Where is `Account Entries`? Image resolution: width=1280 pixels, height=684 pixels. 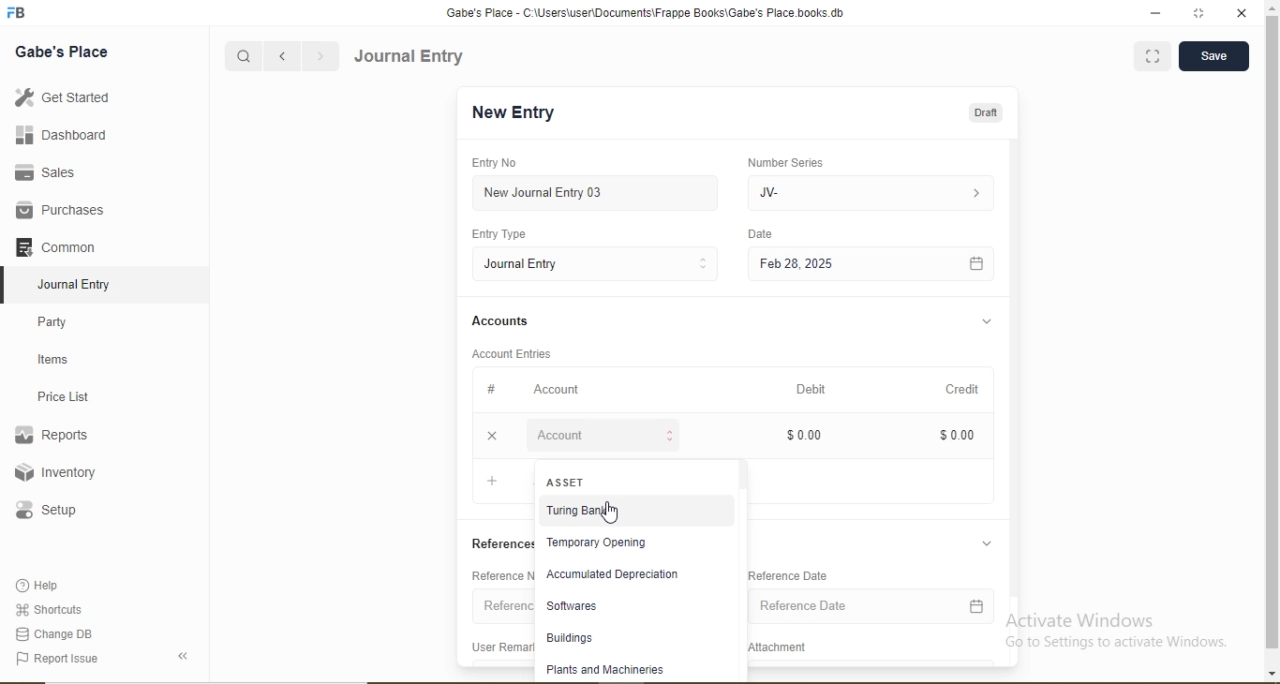
Account Entries is located at coordinates (512, 354).